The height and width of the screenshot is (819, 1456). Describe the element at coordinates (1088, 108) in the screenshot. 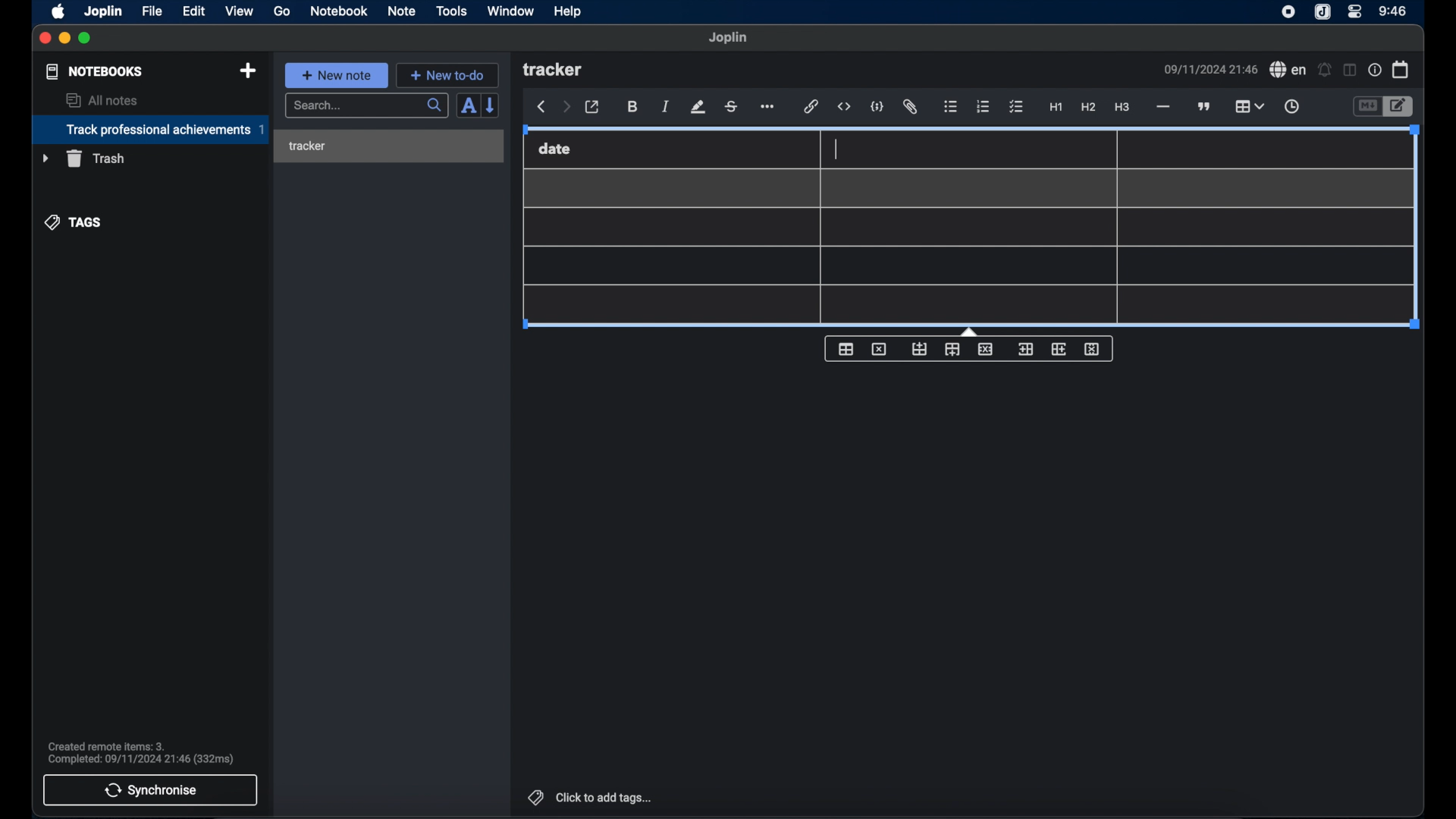

I see `heading 2` at that location.